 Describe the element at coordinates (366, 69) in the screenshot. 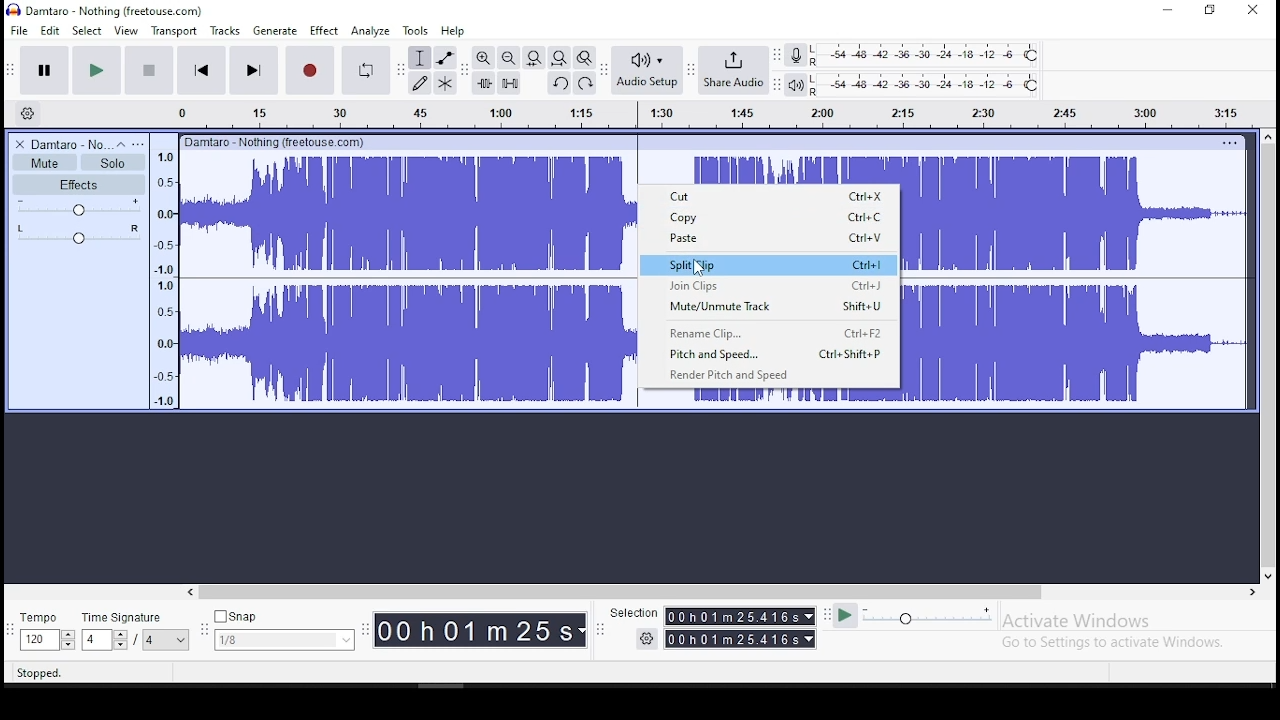

I see `enable looping` at that location.